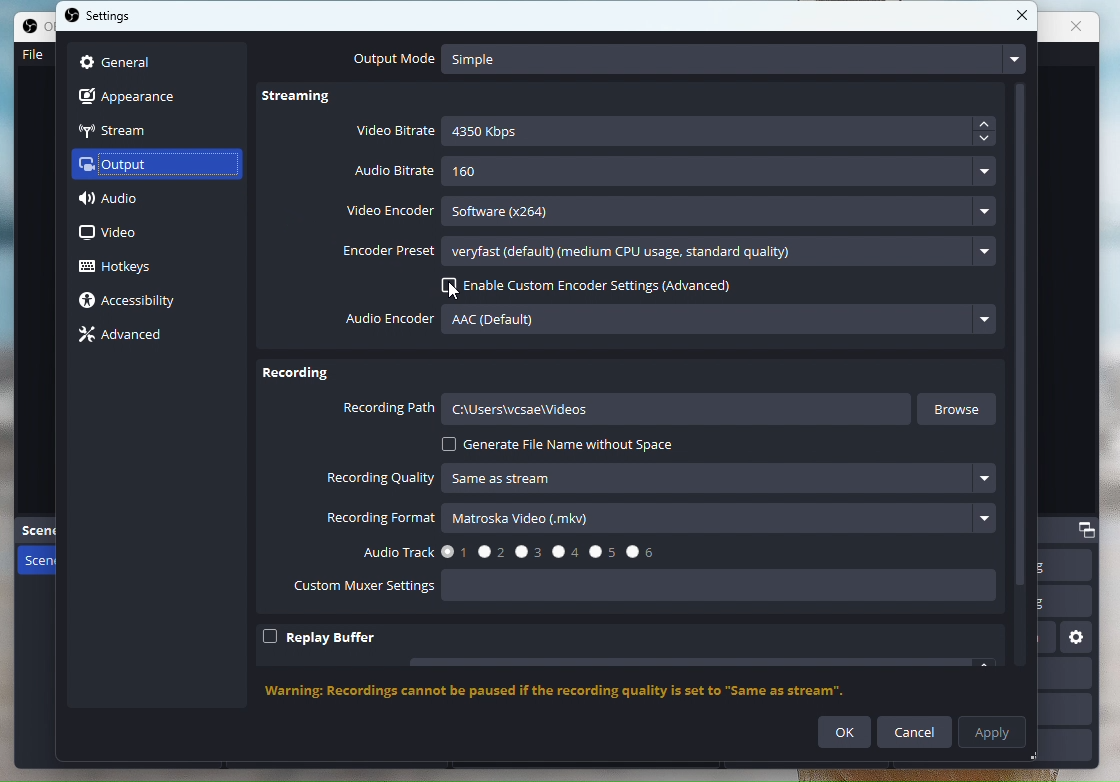 Image resolution: width=1120 pixels, height=782 pixels. I want to click on close, so click(1082, 27).